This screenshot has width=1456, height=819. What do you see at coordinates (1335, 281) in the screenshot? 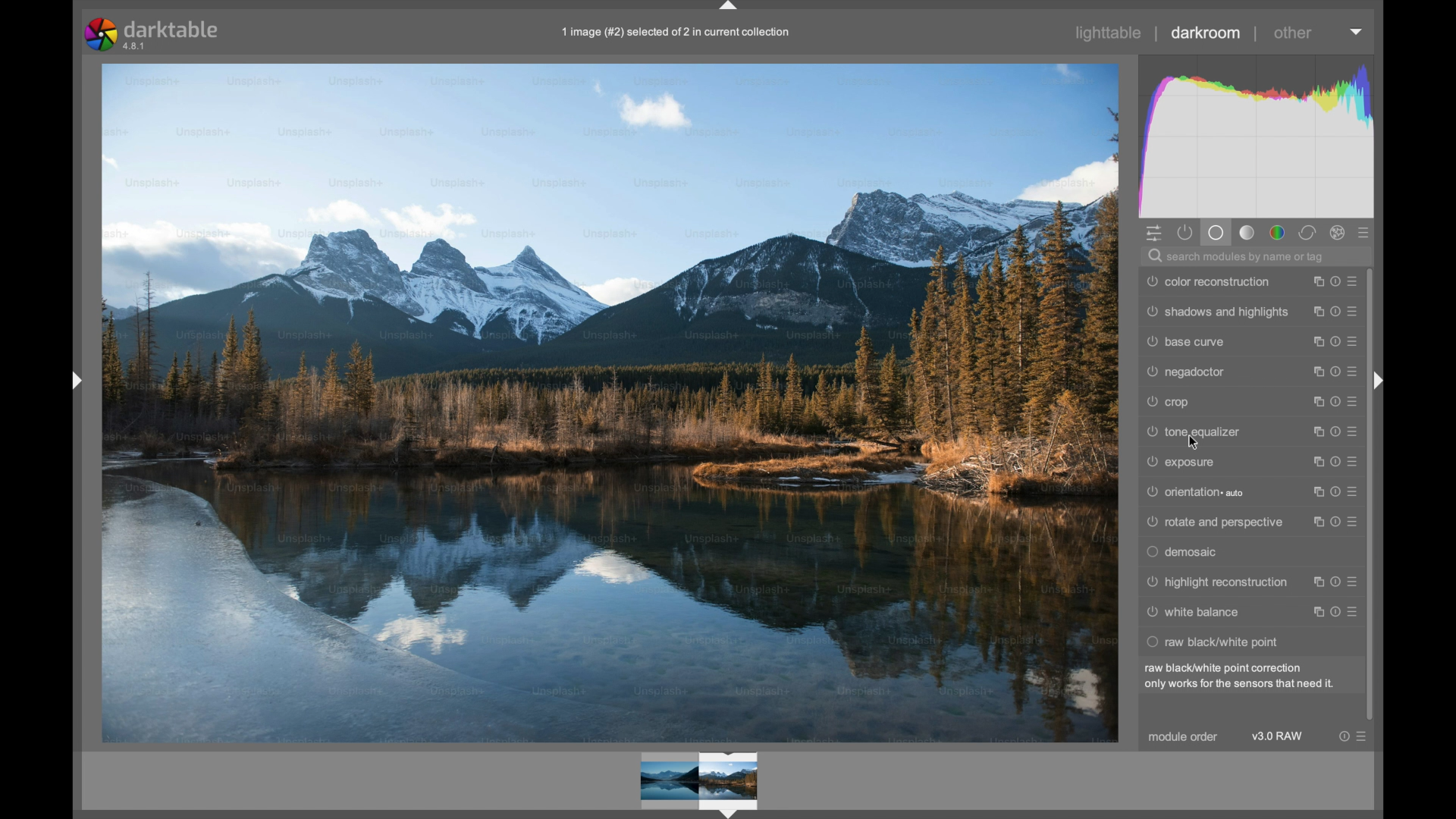
I see `reset parameter` at bounding box center [1335, 281].